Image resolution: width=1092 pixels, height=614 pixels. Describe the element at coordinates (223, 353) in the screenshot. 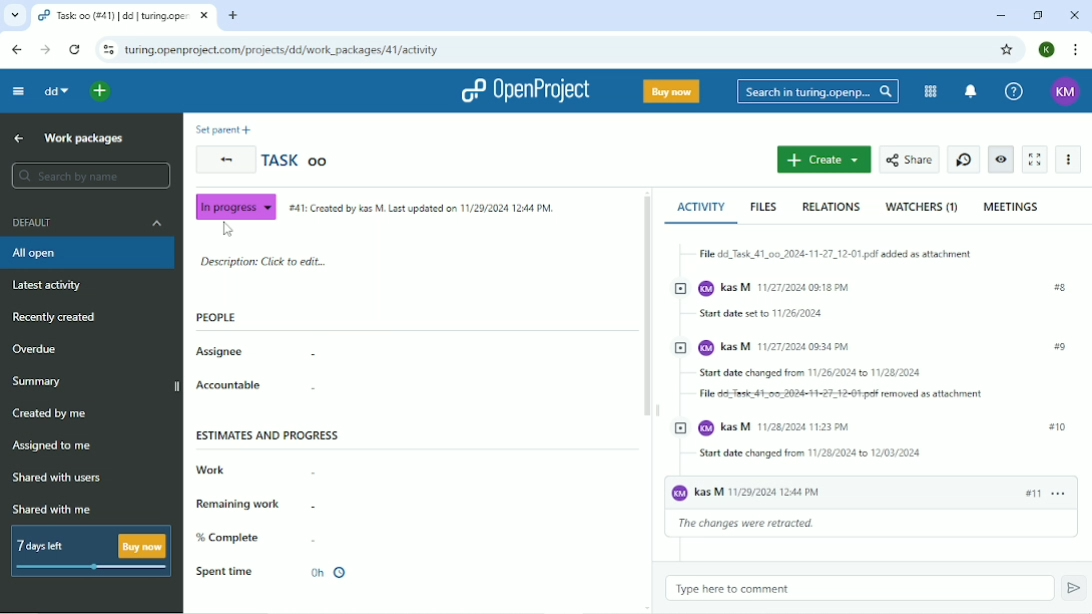

I see `Assignee` at that location.